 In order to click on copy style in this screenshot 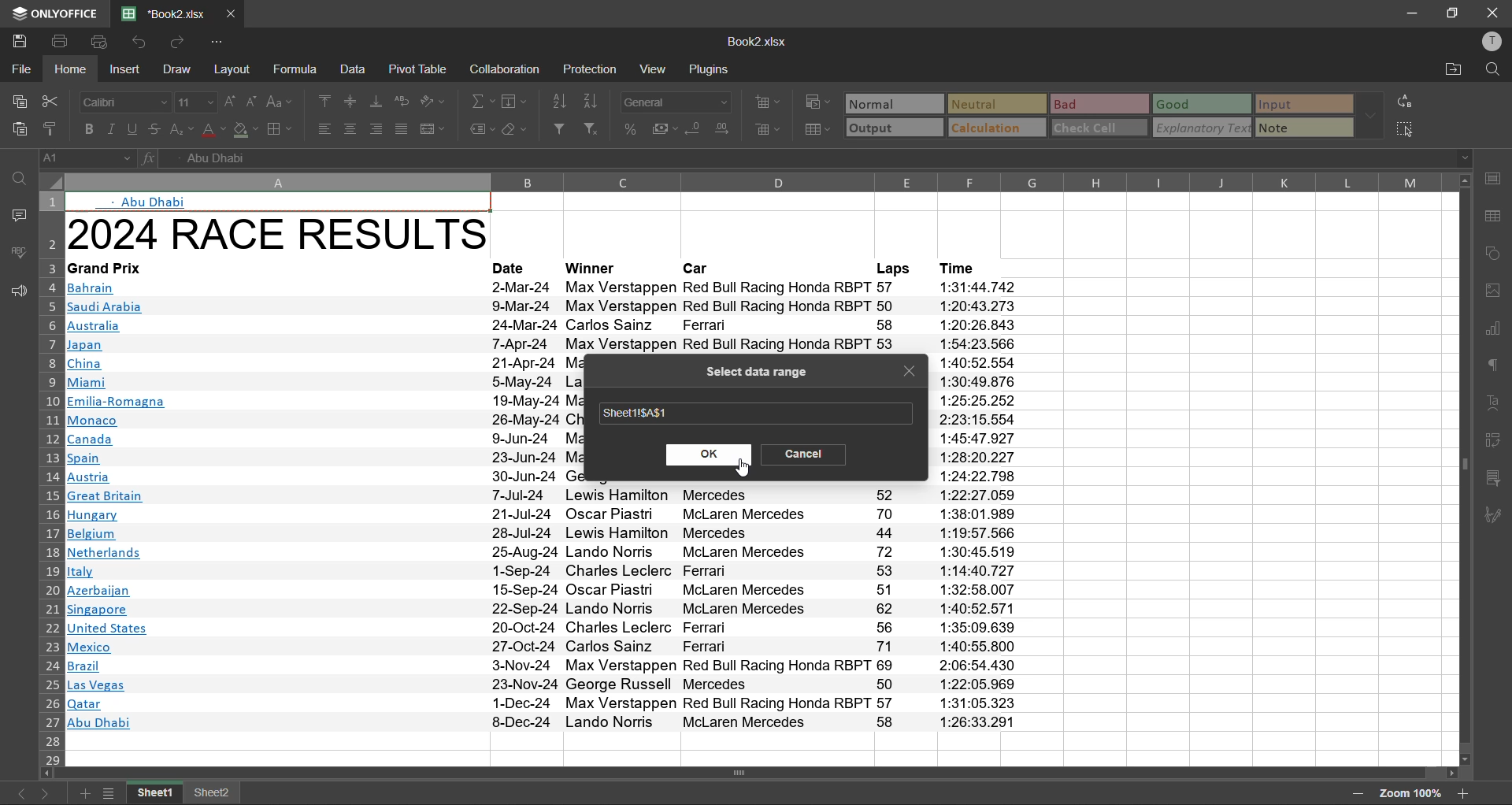, I will do `click(54, 128)`.